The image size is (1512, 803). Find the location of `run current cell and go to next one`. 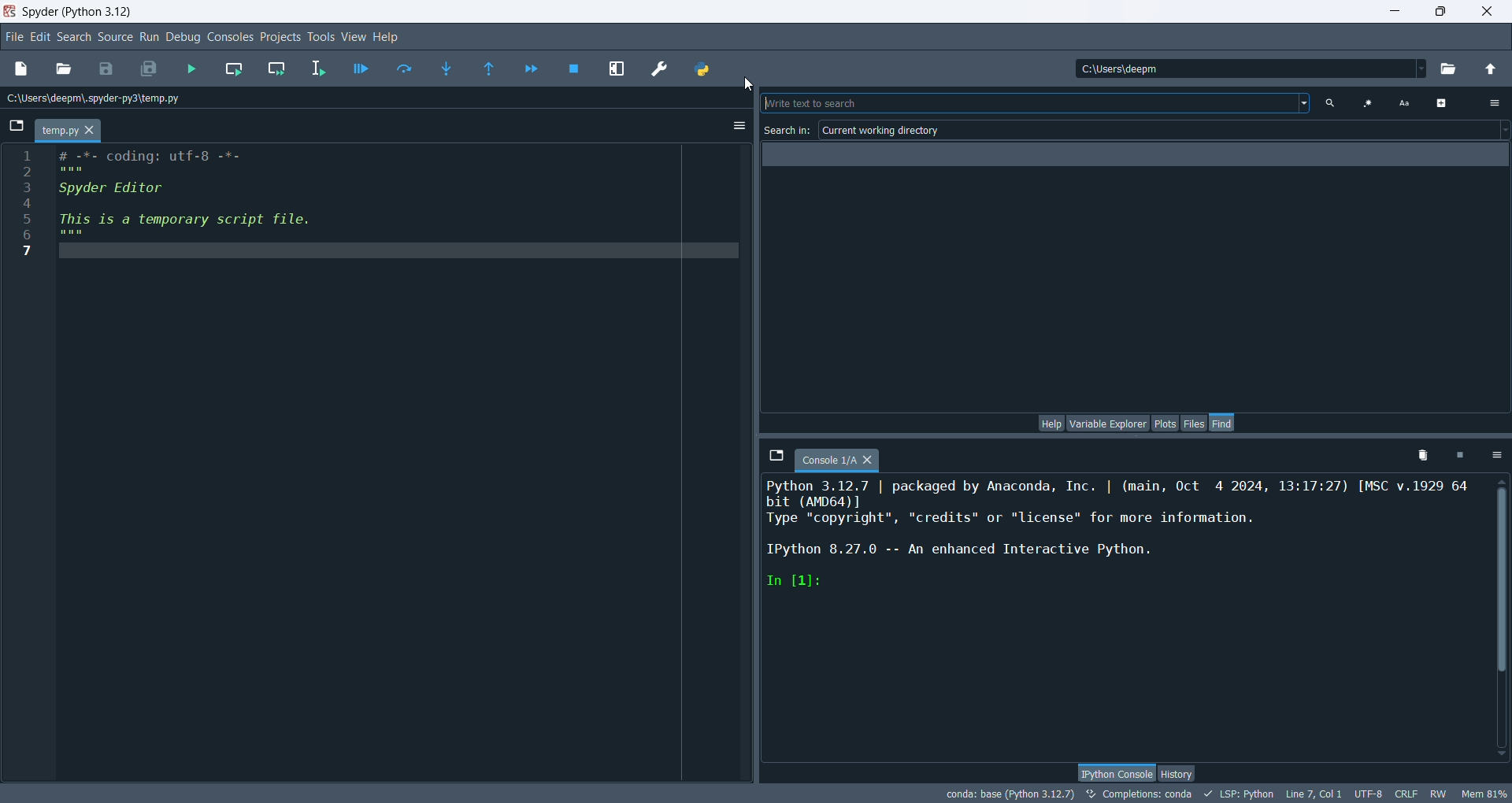

run current cell and go to next one is located at coordinates (276, 68).